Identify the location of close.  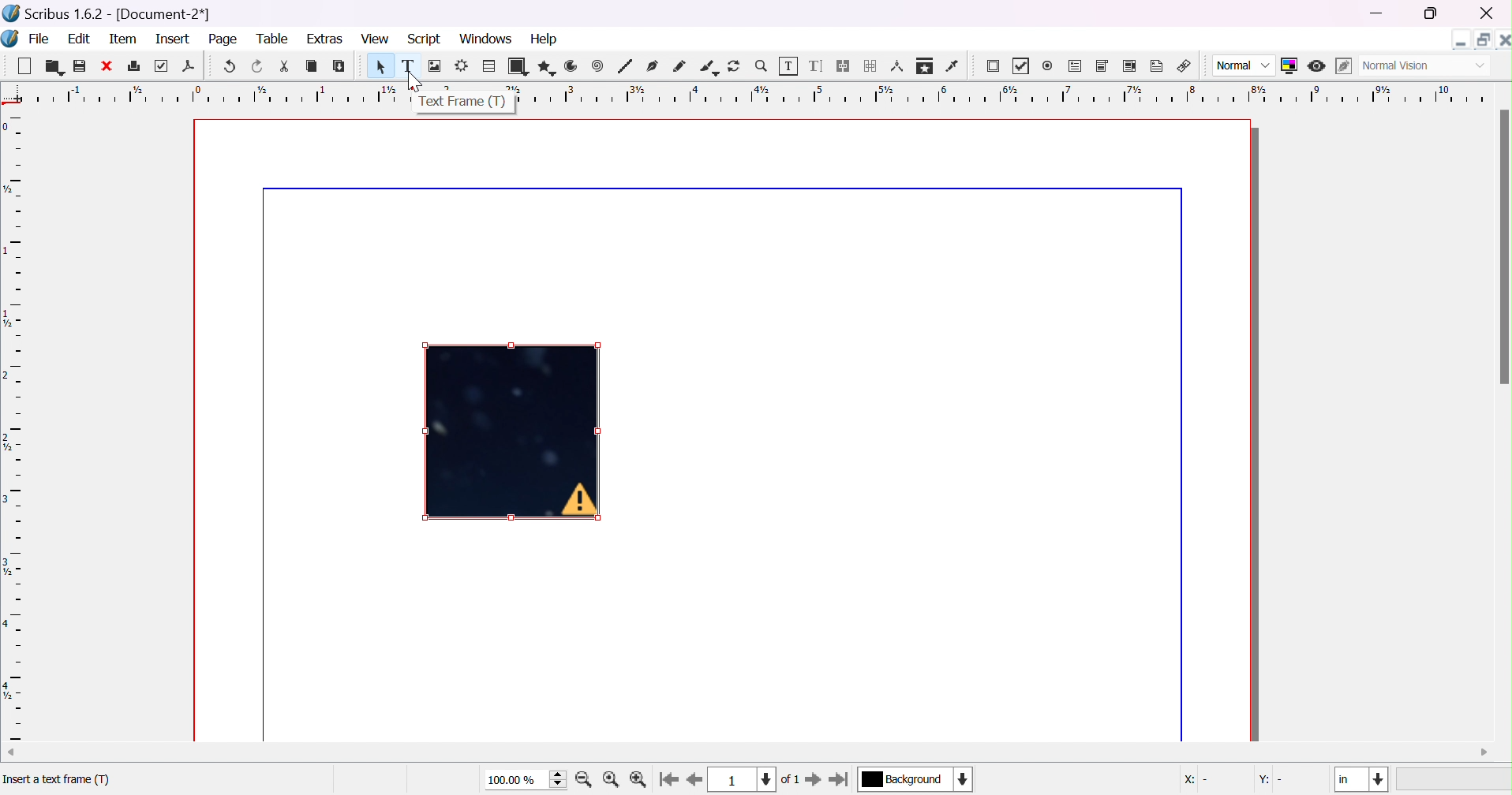
(1503, 38).